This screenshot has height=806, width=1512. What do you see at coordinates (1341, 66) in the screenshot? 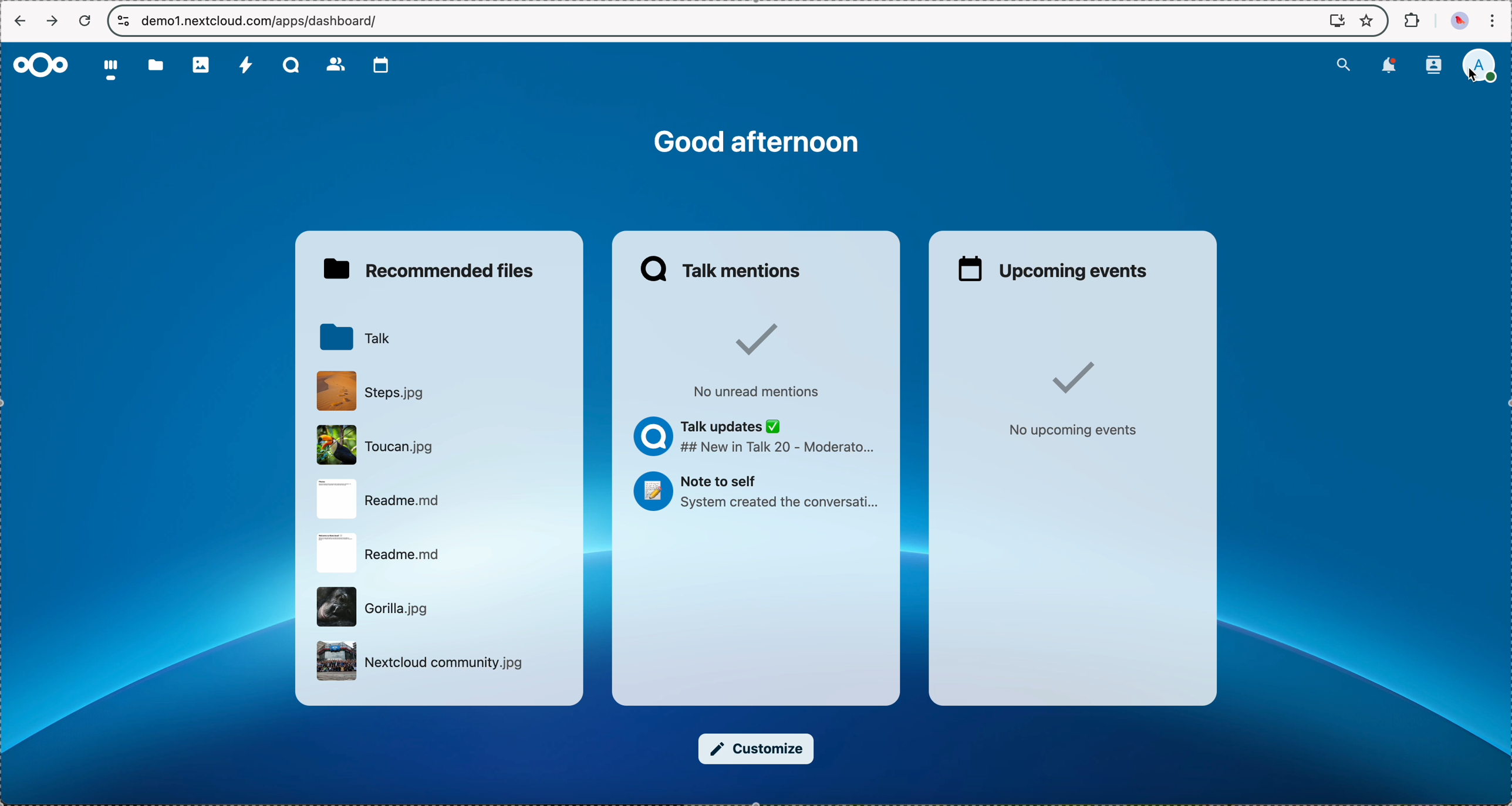
I see `search` at bounding box center [1341, 66].